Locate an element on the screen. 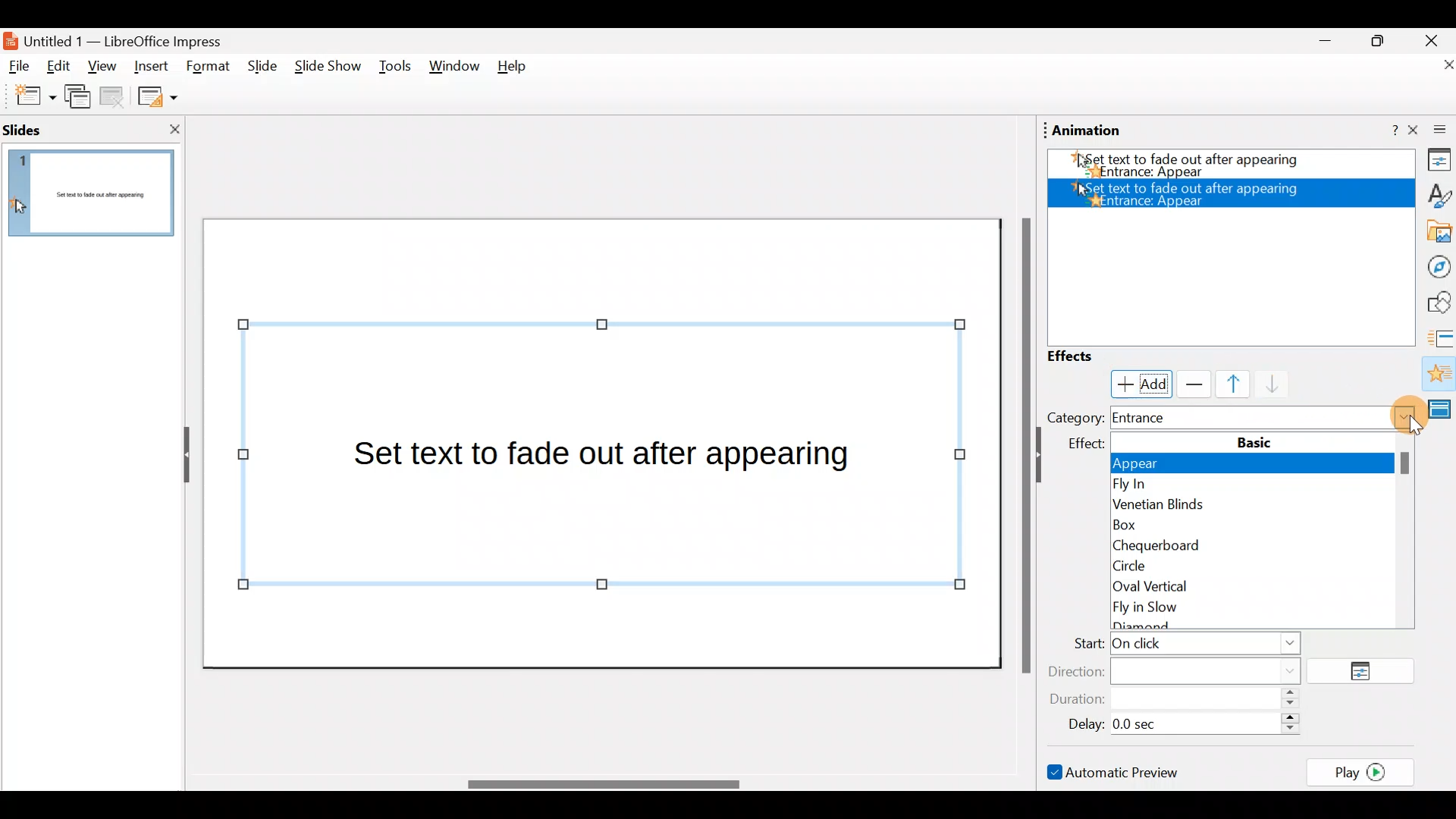 Image resolution: width=1456 pixels, height=819 pixels. Appear effect added is located at coordinates (1191, 193).